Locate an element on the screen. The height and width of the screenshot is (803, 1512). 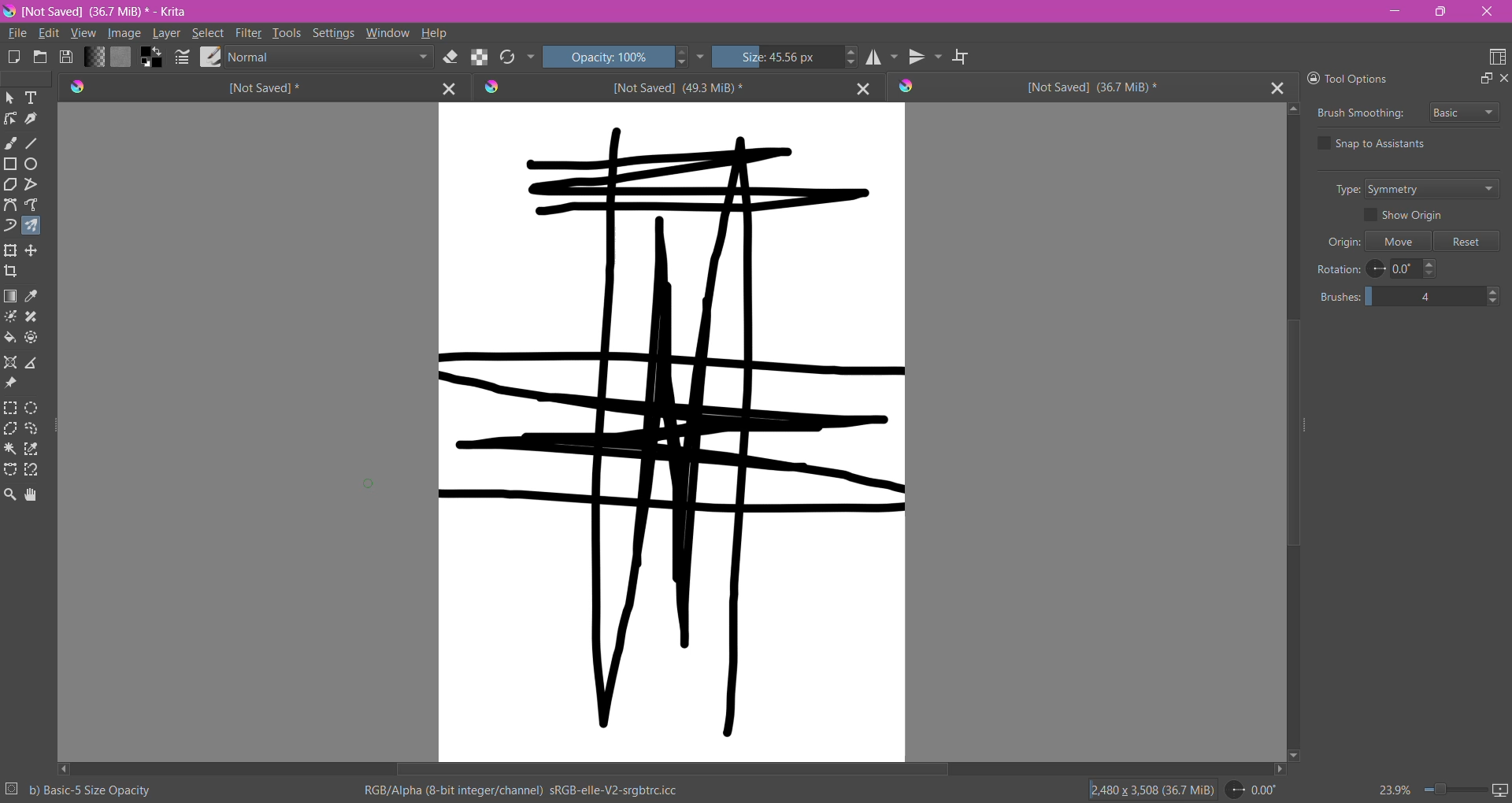
Horizontal Mirror Tool is located at coordinates (881, 57).